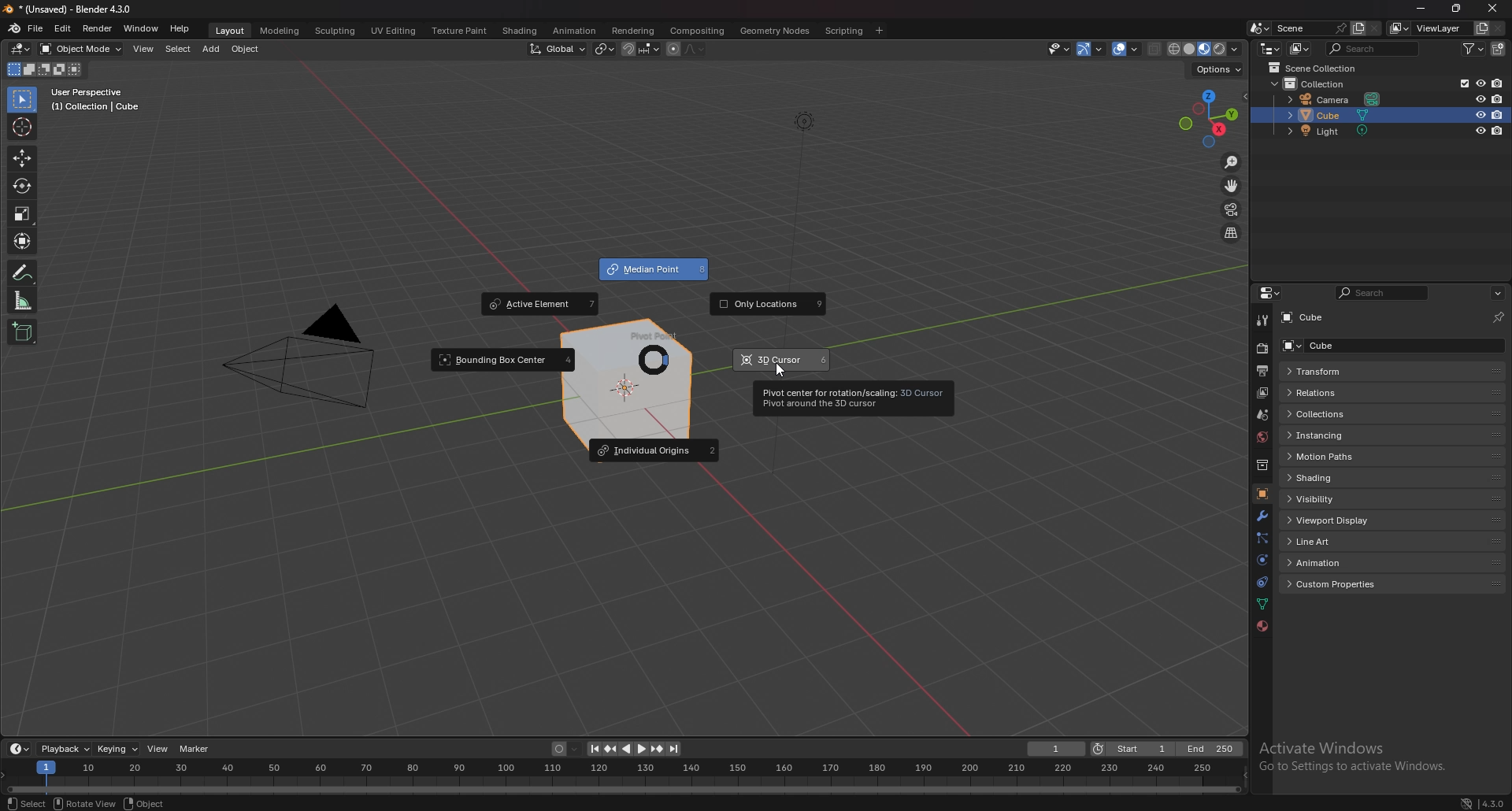 This screenshot has width=1512, height=811. Describe the element at coordinates (1358, 346) in the screenshot. I see `cube` at that location.